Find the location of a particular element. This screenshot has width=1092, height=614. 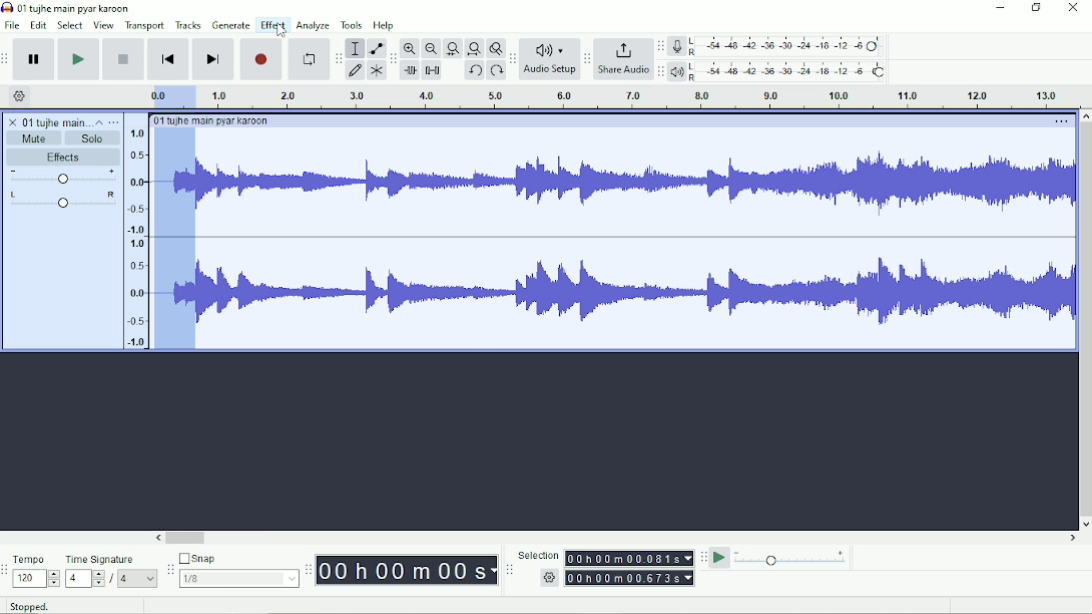

Audacity snapping toolbar is located at coordinates (169, 569).